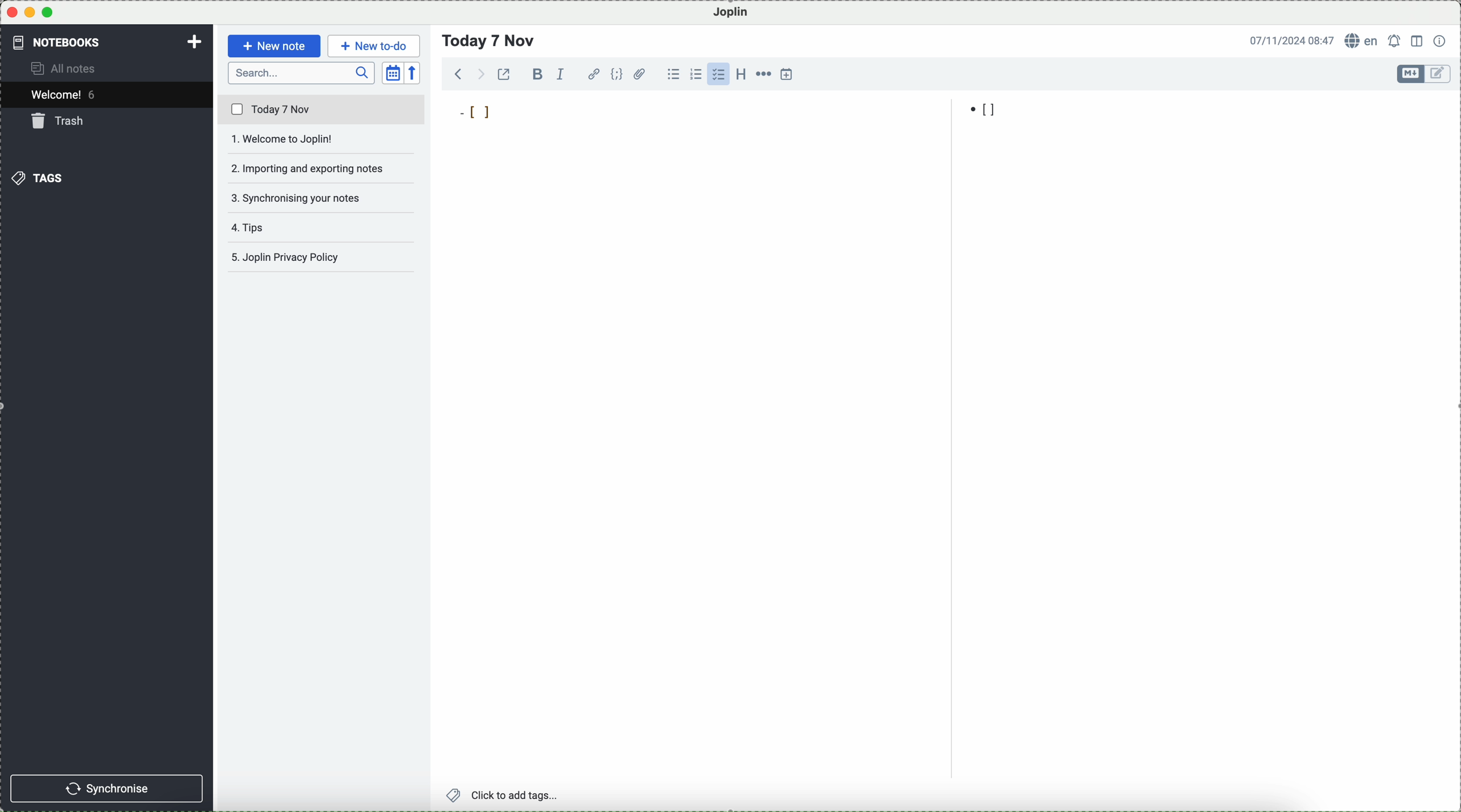  I want to click on trash, so click(60, 121).